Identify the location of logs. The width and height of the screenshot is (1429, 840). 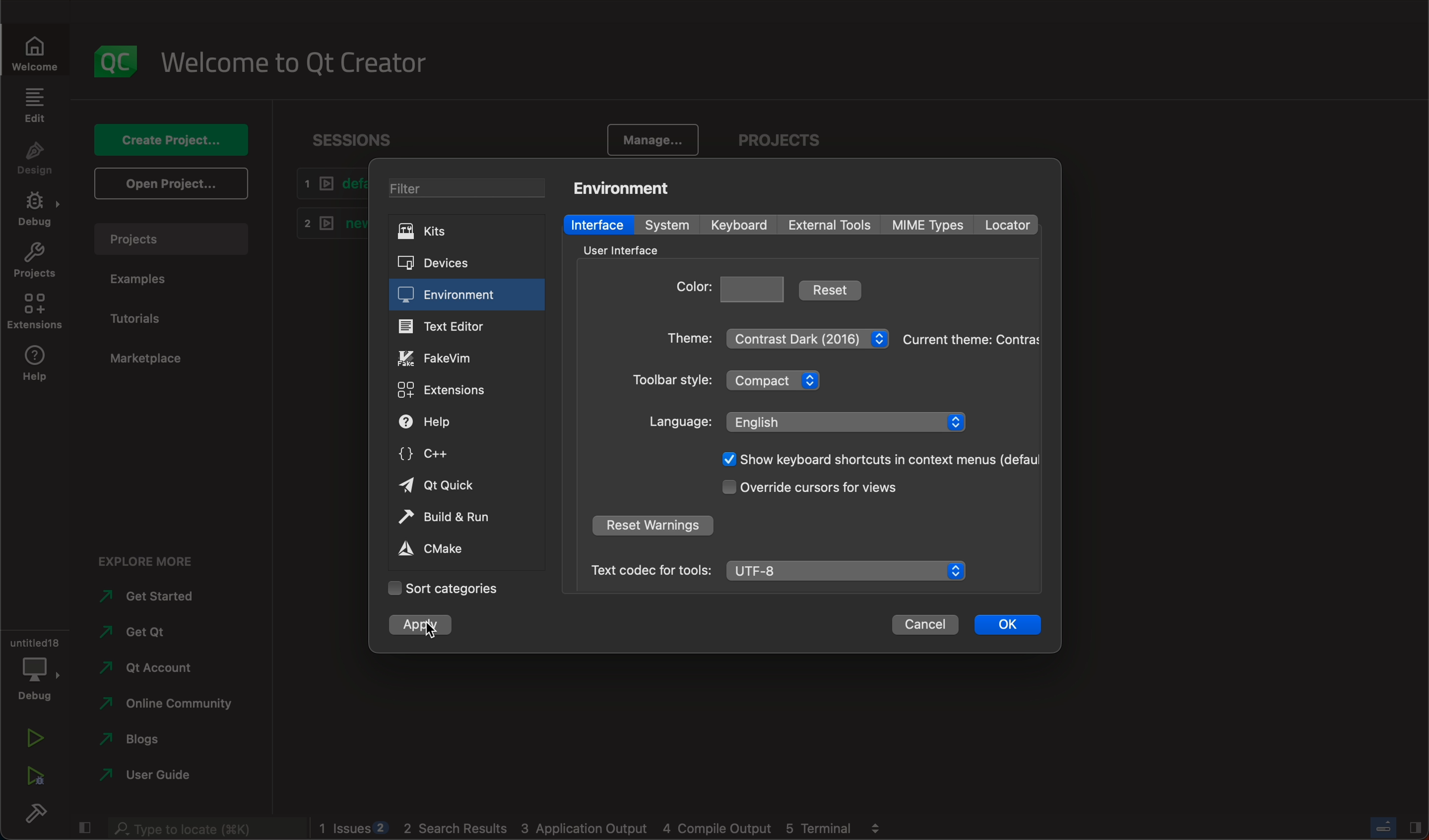
(603, 829).